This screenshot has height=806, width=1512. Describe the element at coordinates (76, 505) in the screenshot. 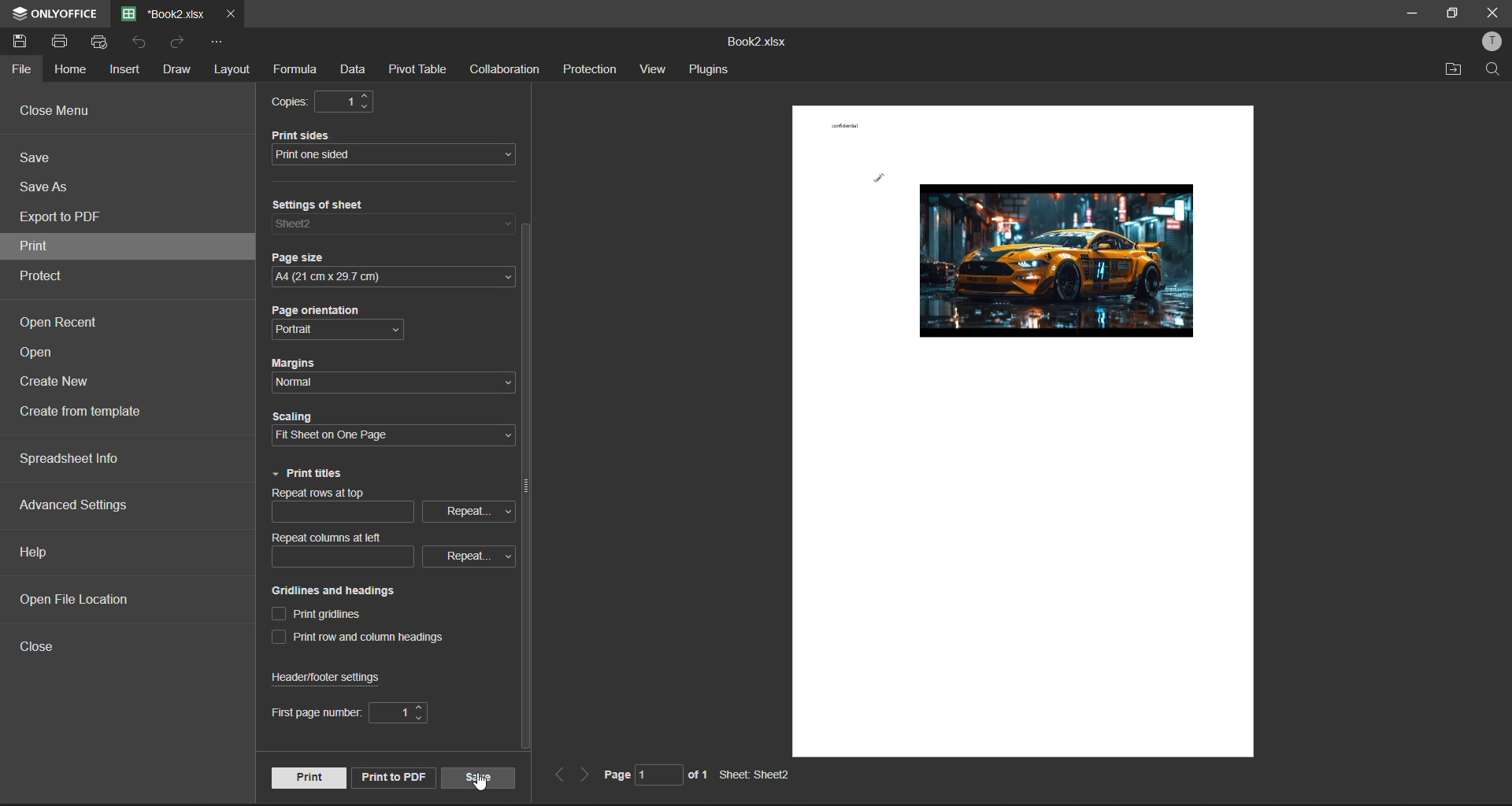

I see `advanced settings` at that location.